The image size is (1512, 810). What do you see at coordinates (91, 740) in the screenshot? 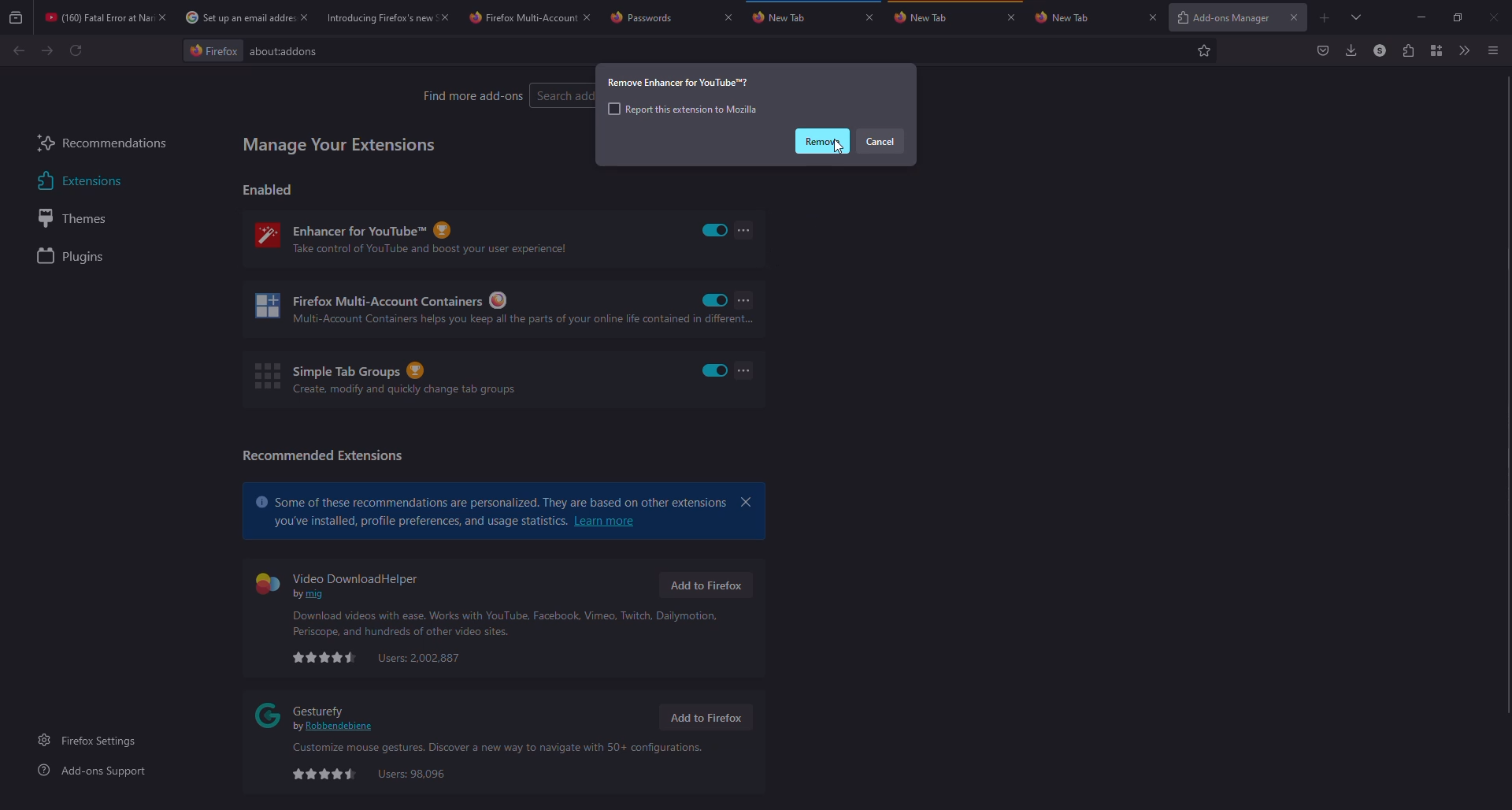
I see `firefox settings` at bounding box center [91, 740].